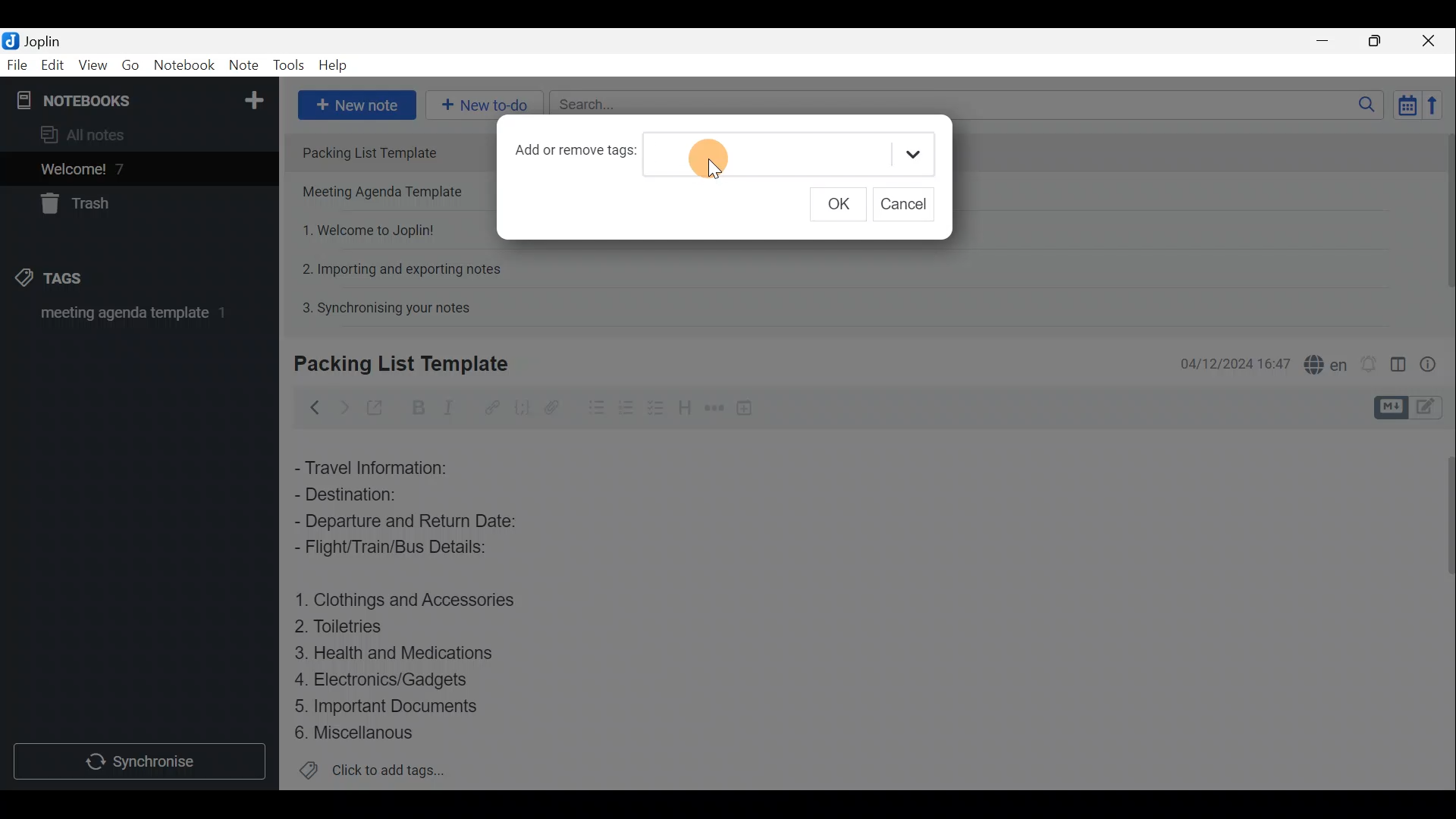  I want to click on Note 3, so click(362, 228).